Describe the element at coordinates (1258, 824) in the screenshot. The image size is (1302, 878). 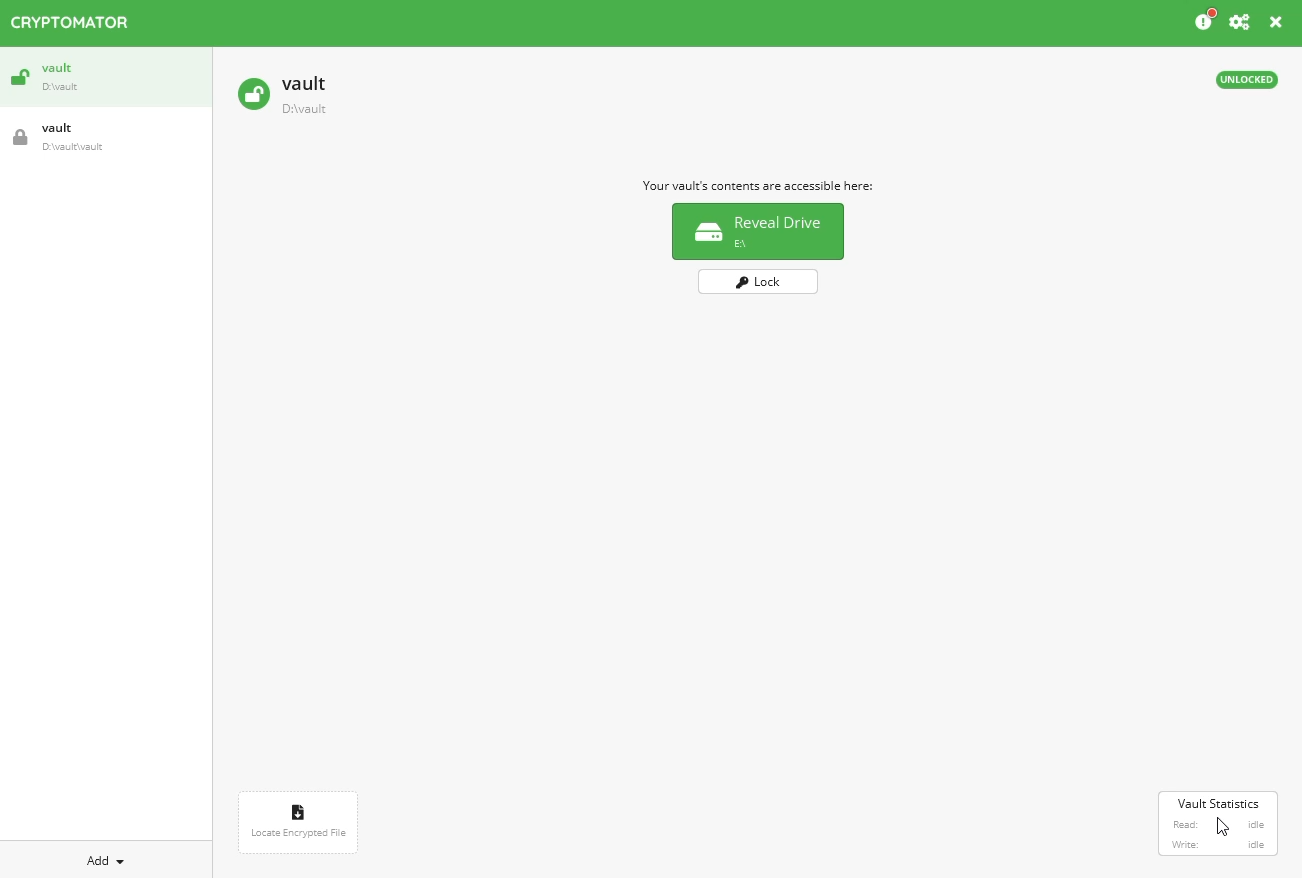
I see `idle` at that location.